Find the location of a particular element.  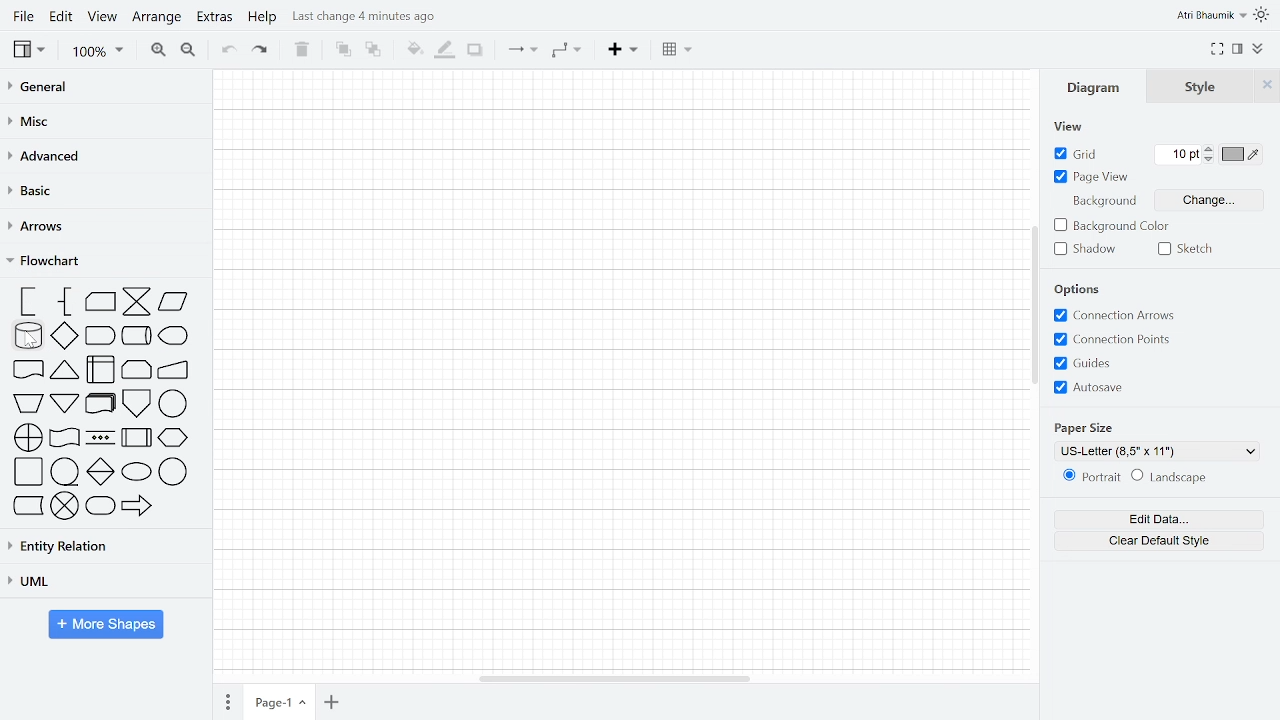

Increase grid pt is located at coordinates (1211, 149).